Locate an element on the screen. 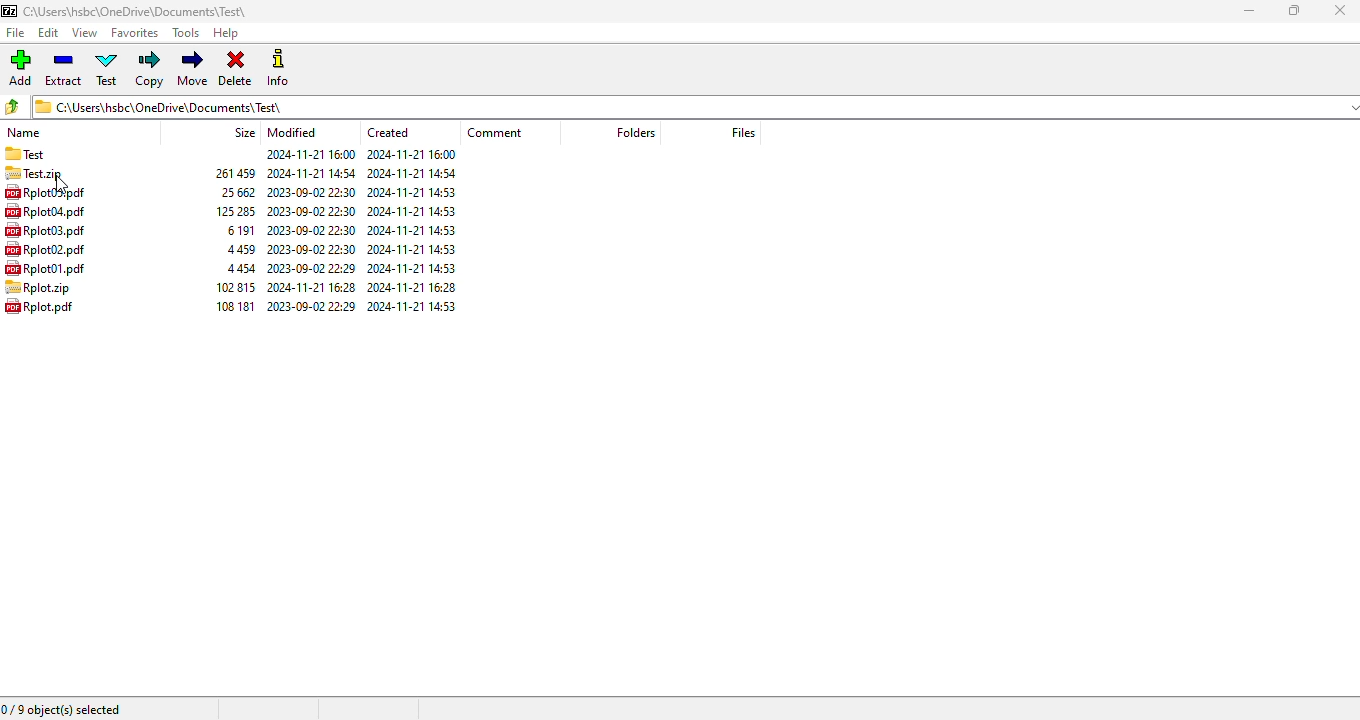 This screenshot has height=720, width=1360. modified date & time is located at coordinates (311, 230).